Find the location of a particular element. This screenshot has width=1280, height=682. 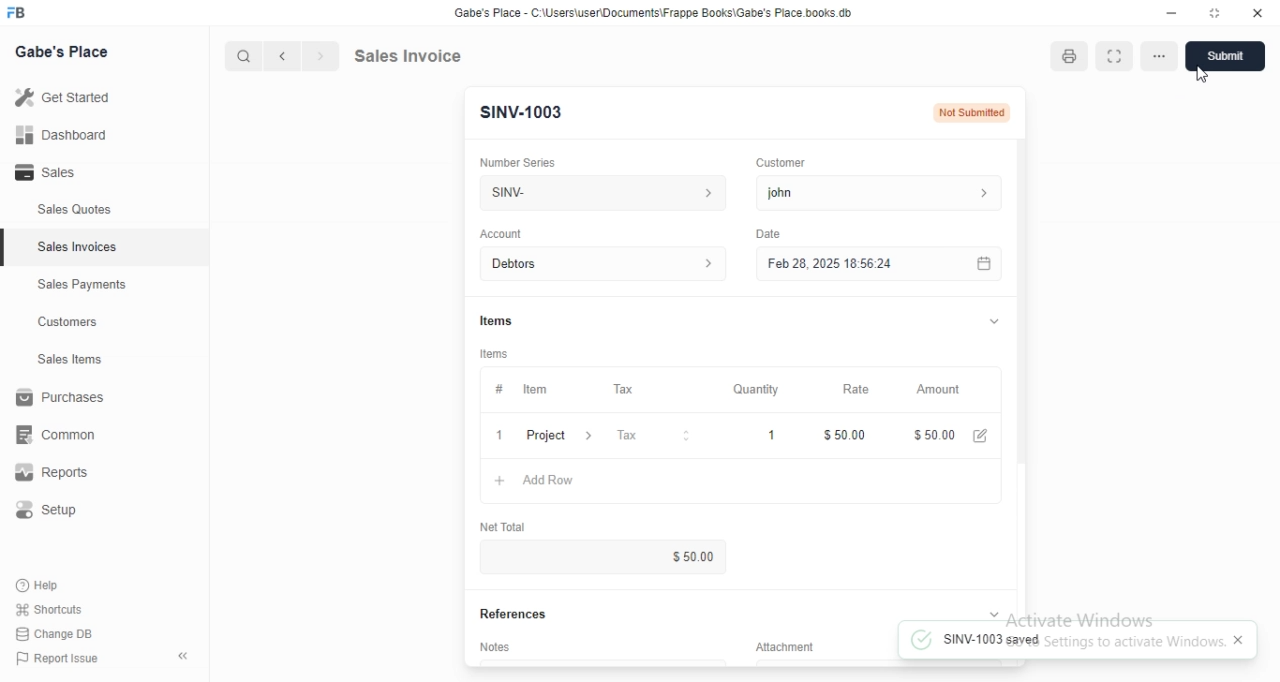

Sales Quotes is located at coordinates (64, 210).